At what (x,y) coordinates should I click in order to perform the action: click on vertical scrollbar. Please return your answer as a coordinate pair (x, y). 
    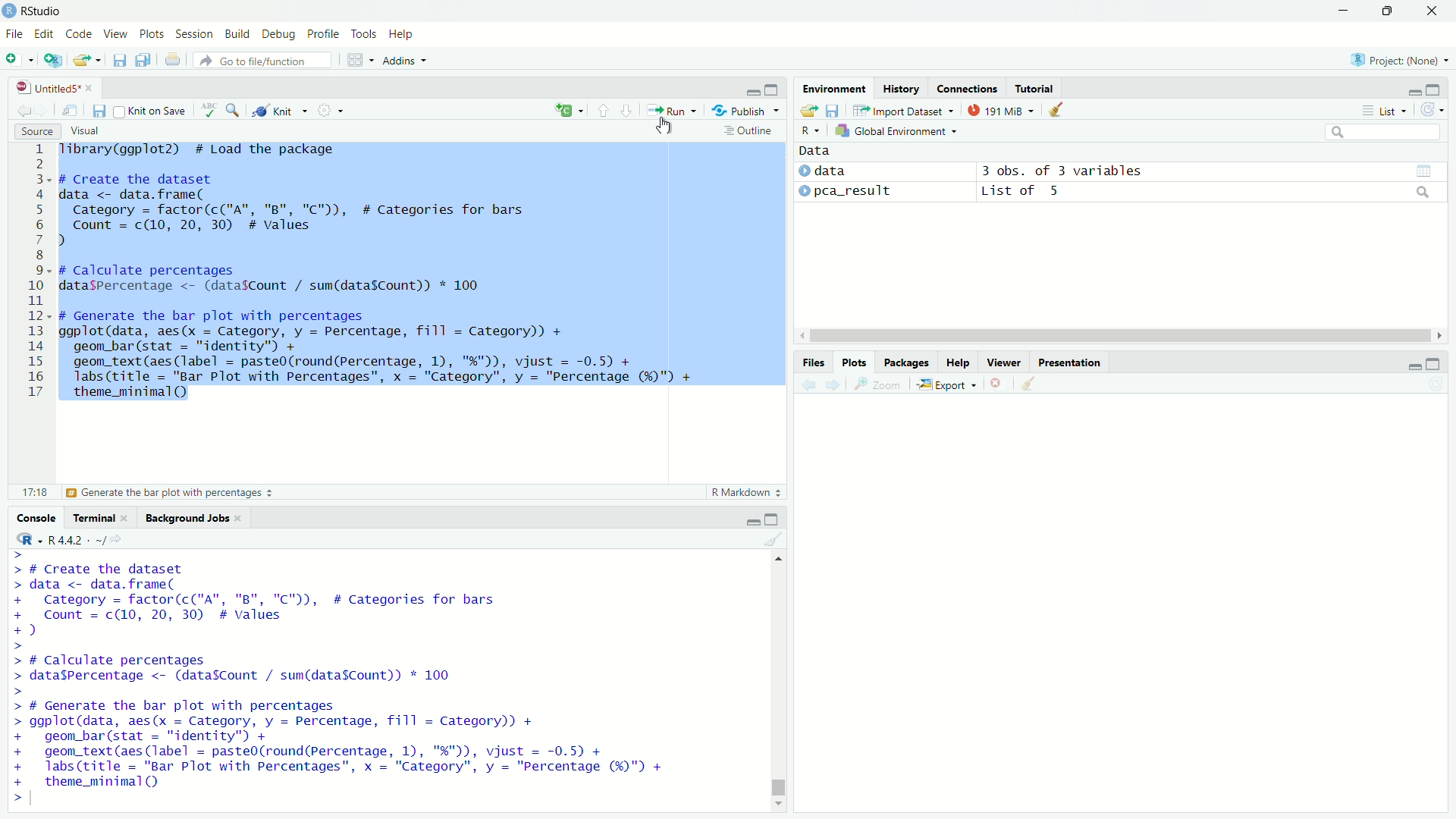
    Looking at the image, I should click on (776, 762).